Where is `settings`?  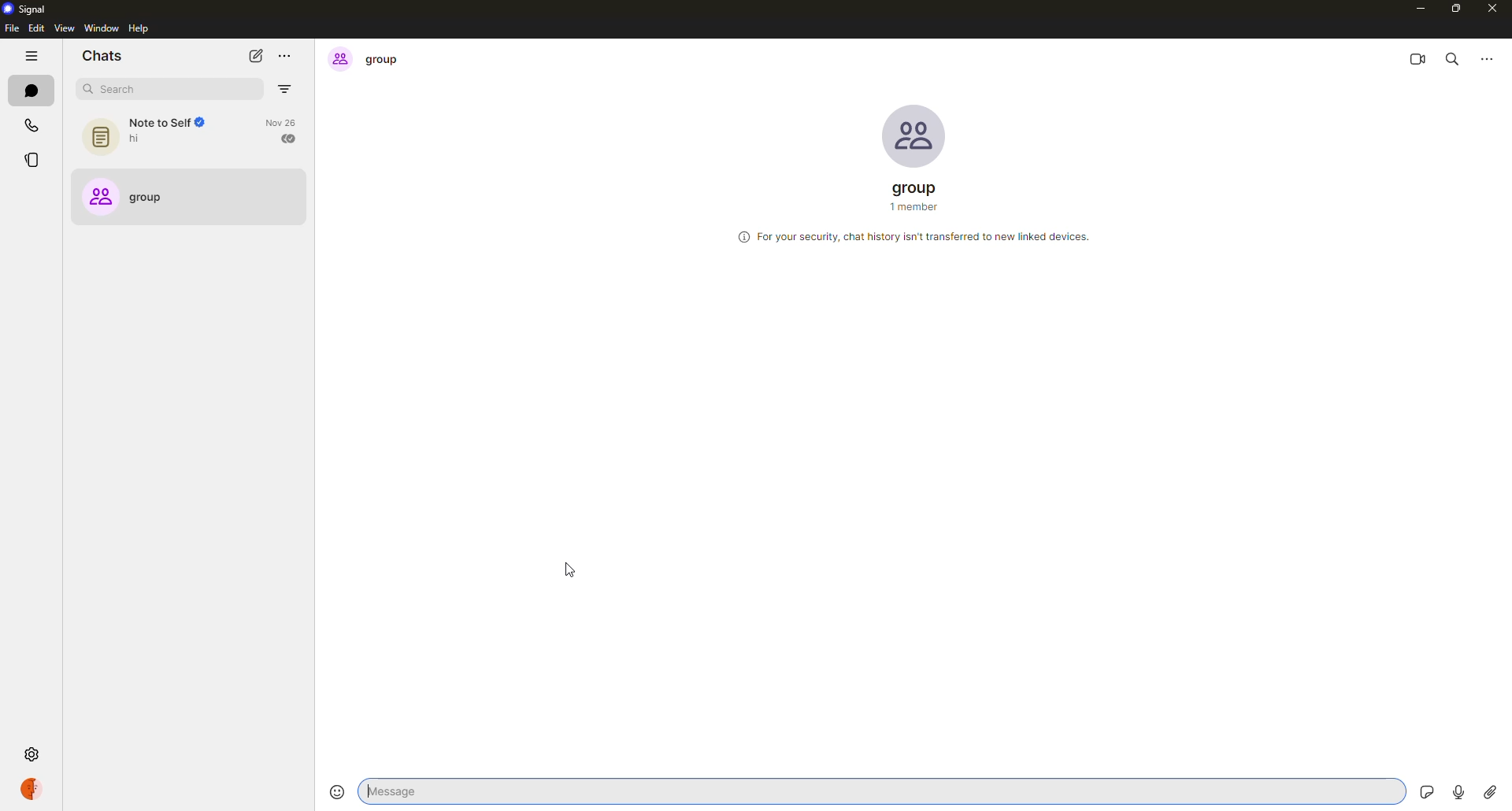 settings is located at coordinates (31, 752).